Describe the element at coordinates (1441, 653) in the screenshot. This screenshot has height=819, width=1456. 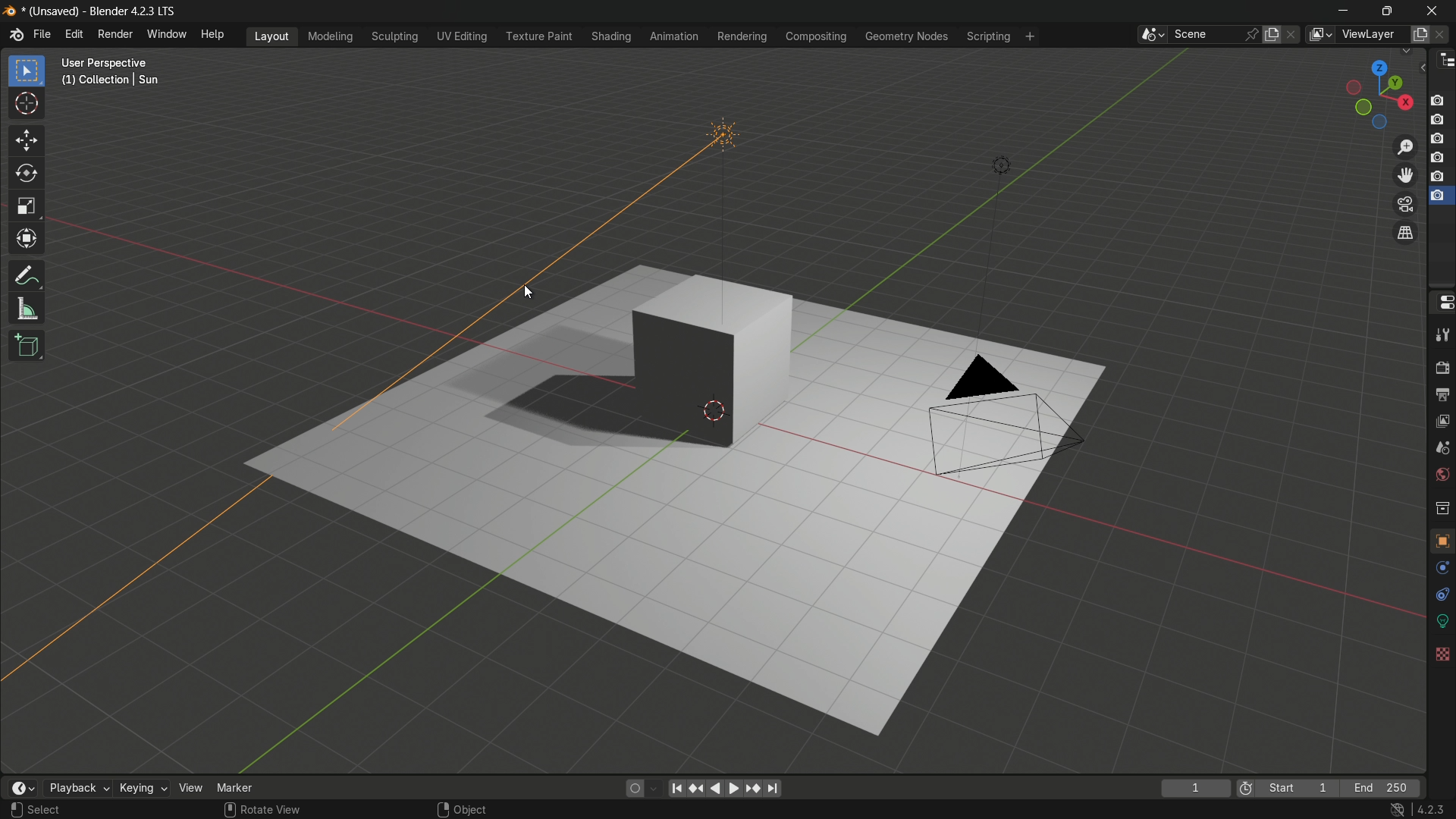
I see `textures` at that location.